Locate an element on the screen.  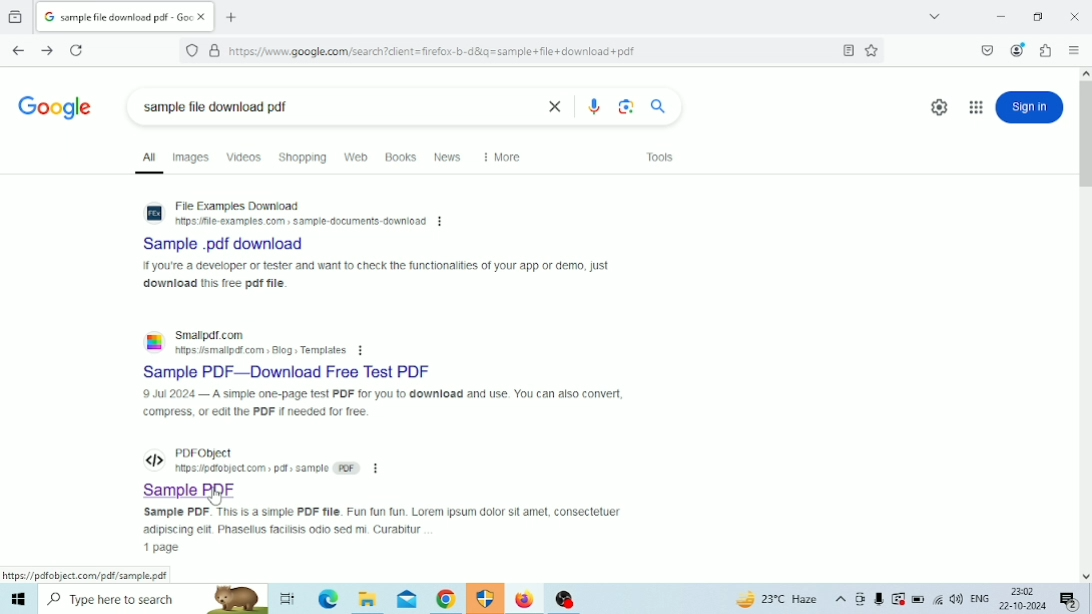
Favorites is located at coordinates (872, 51).